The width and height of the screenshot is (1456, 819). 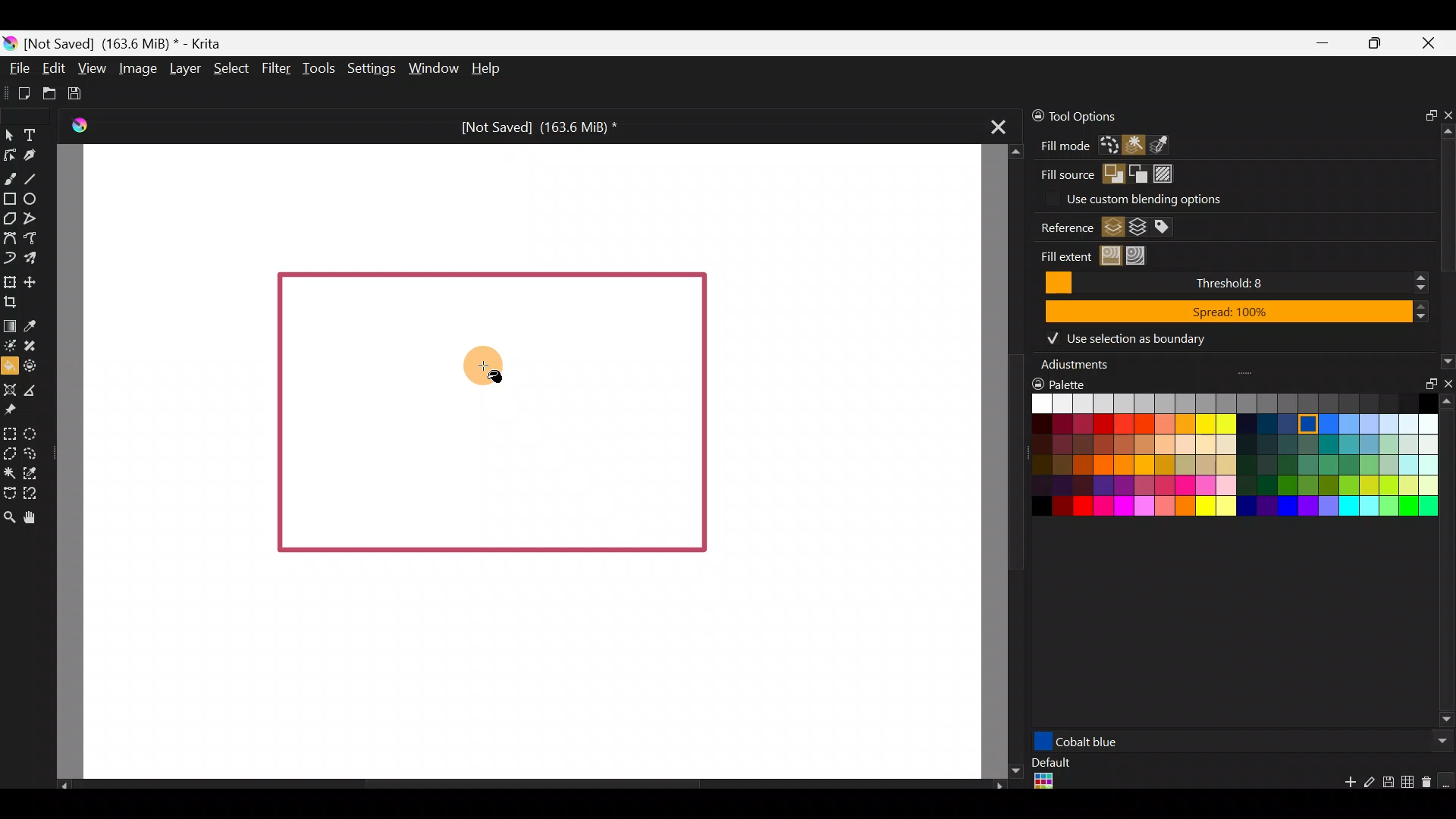 I want to click on Fill extent, so click(x=1057, y=254).